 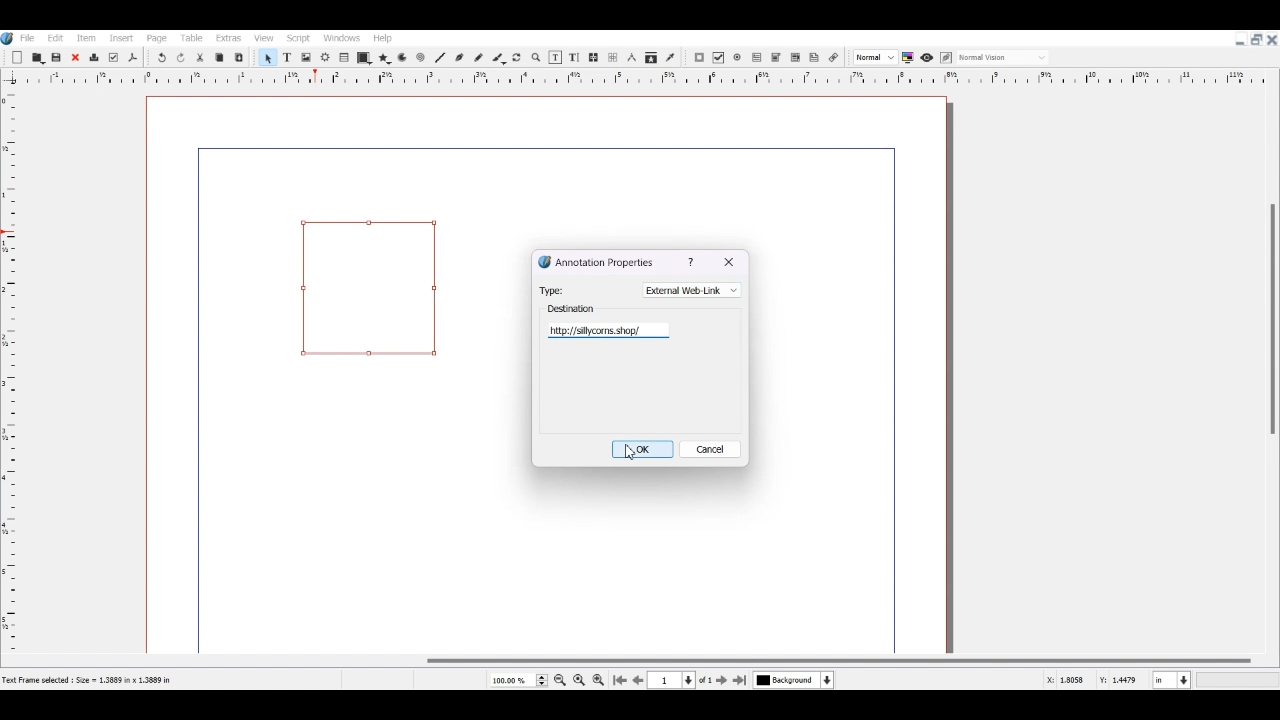 I want to click on Toggle color management system, so click(x=909, y=57).